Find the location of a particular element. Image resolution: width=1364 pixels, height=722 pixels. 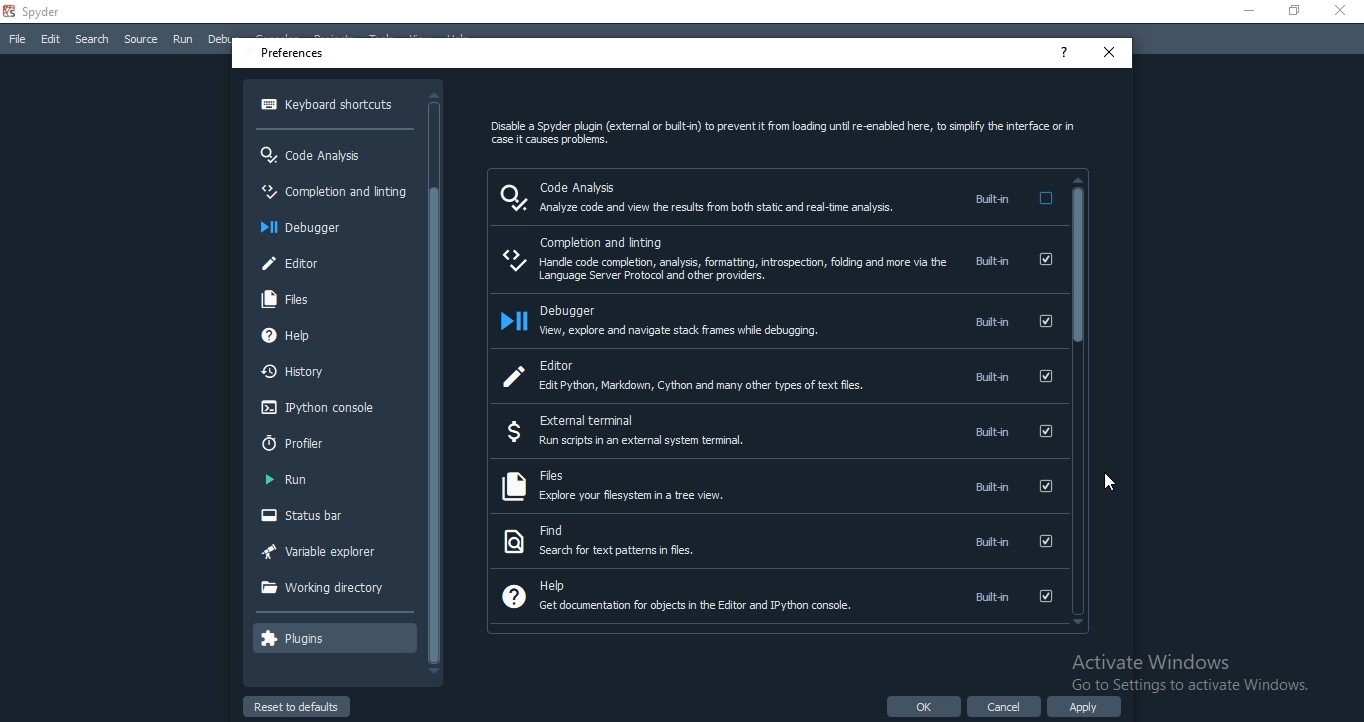

File  is located at coordinates (14, 41).